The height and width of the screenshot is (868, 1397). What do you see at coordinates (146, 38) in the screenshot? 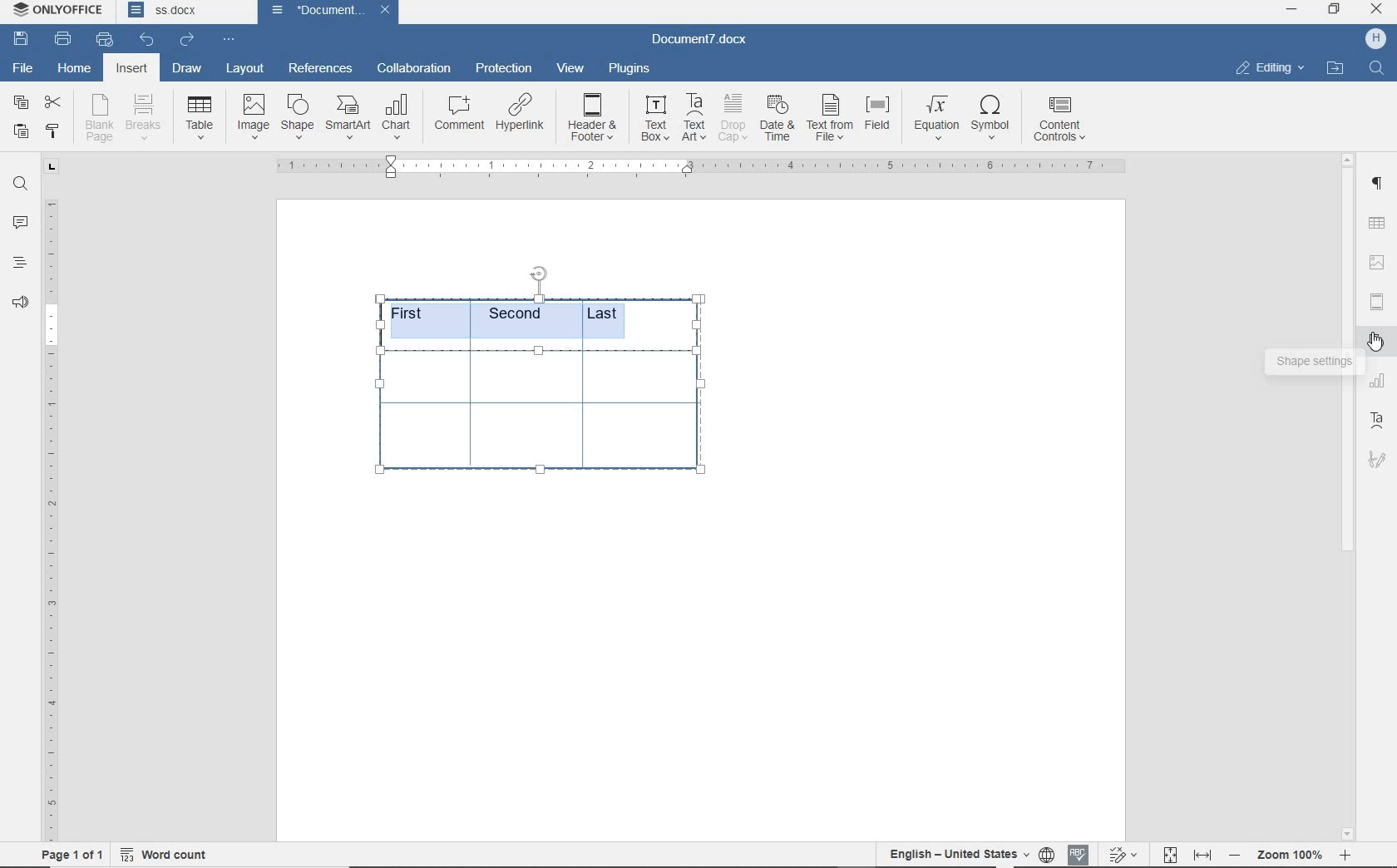
I see `undo` at bounding box center [146, 38].